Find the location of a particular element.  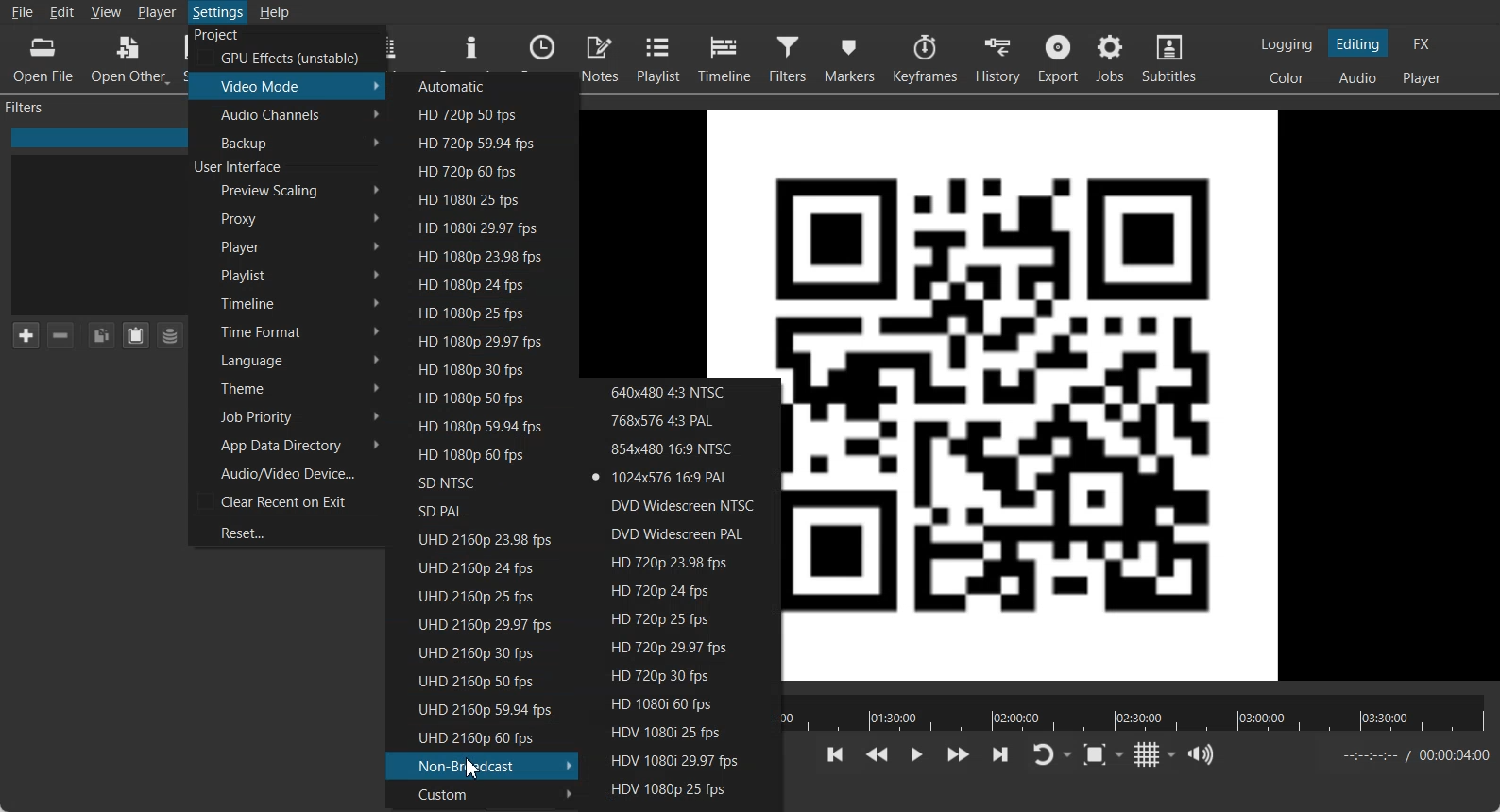

View is located at coordinates (105, 11).